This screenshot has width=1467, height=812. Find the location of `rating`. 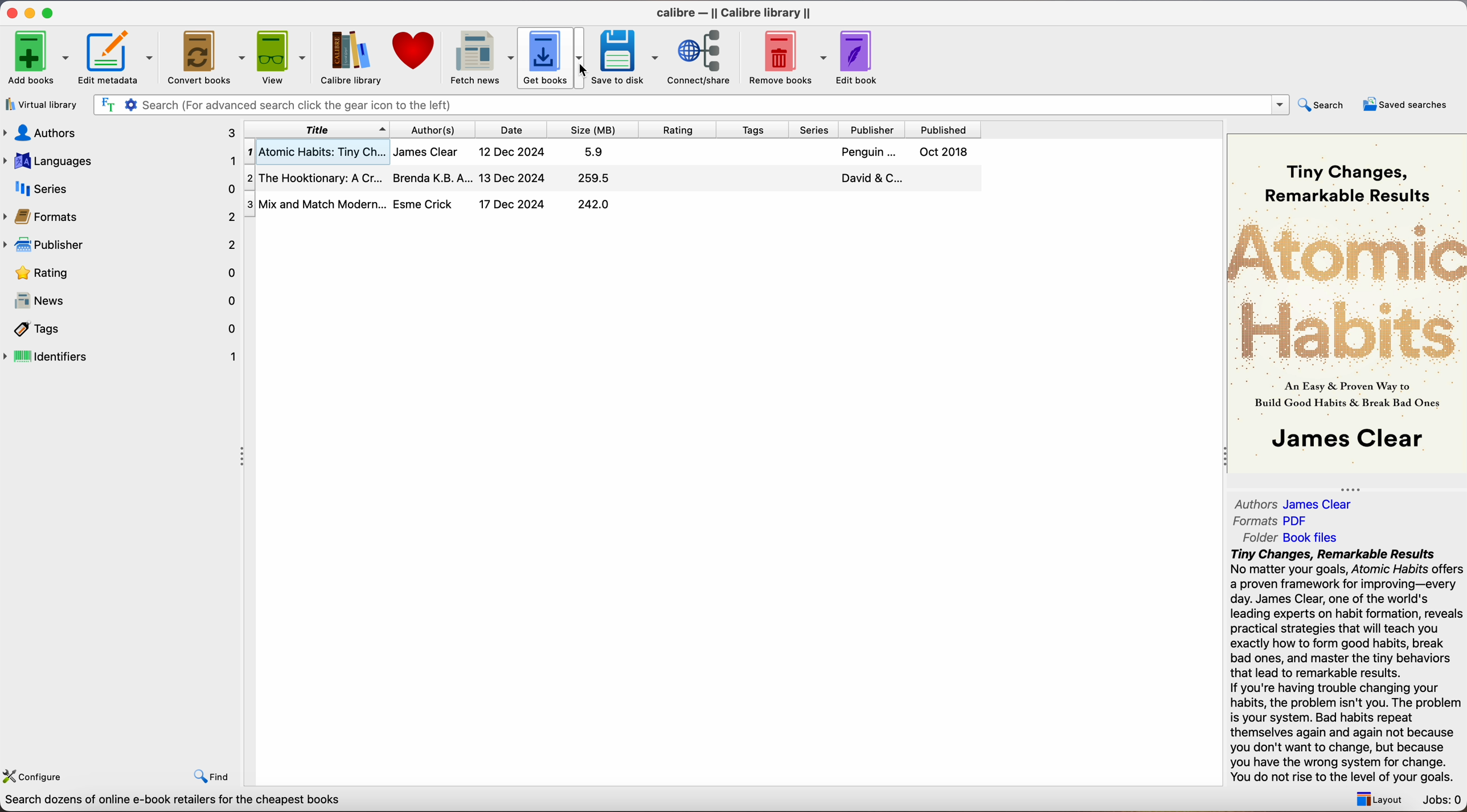

rating is located at coordinates (678, 129).